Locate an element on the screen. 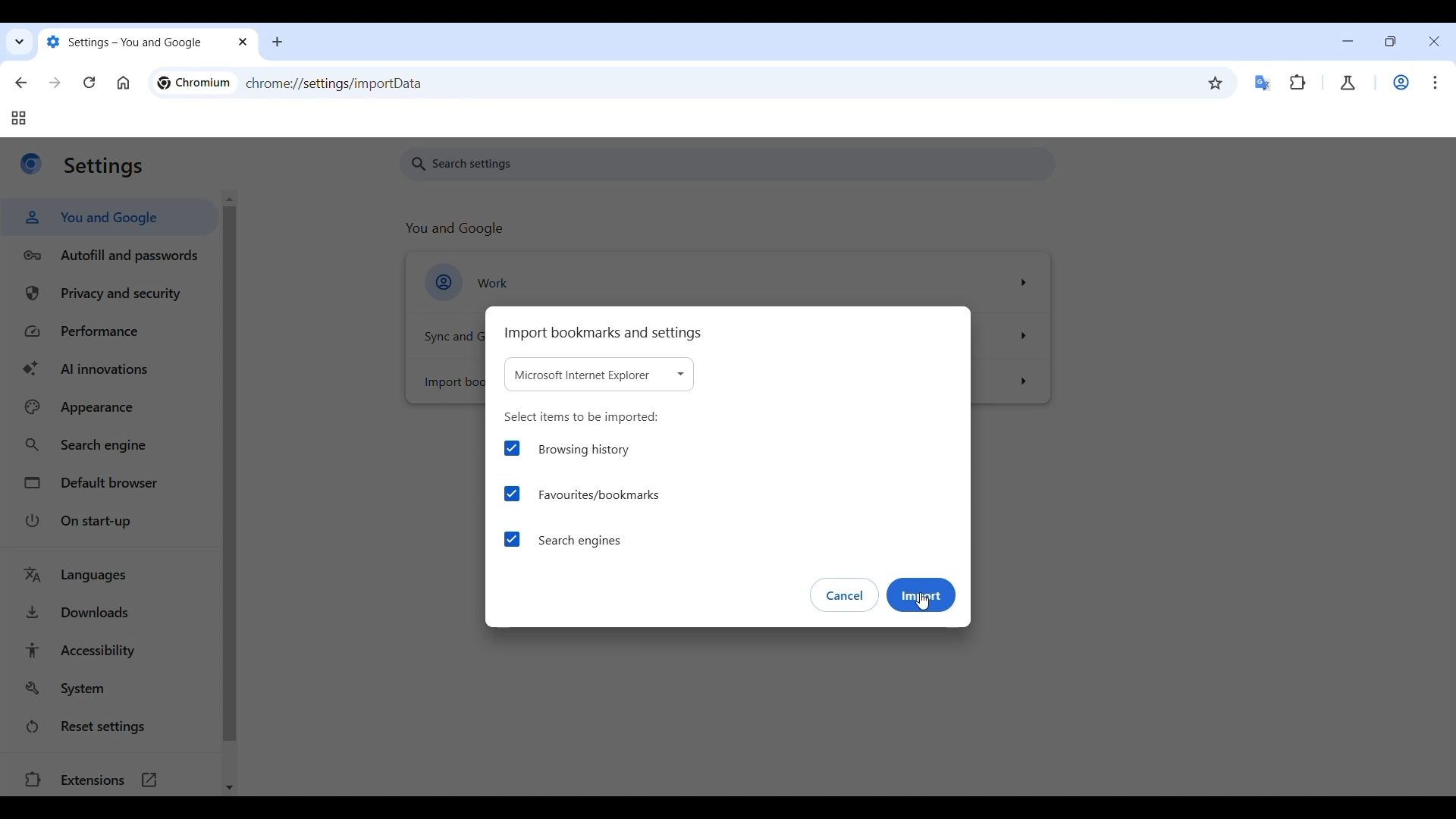  Show interface in a smaller tab is located at coordinates (1389, 42).